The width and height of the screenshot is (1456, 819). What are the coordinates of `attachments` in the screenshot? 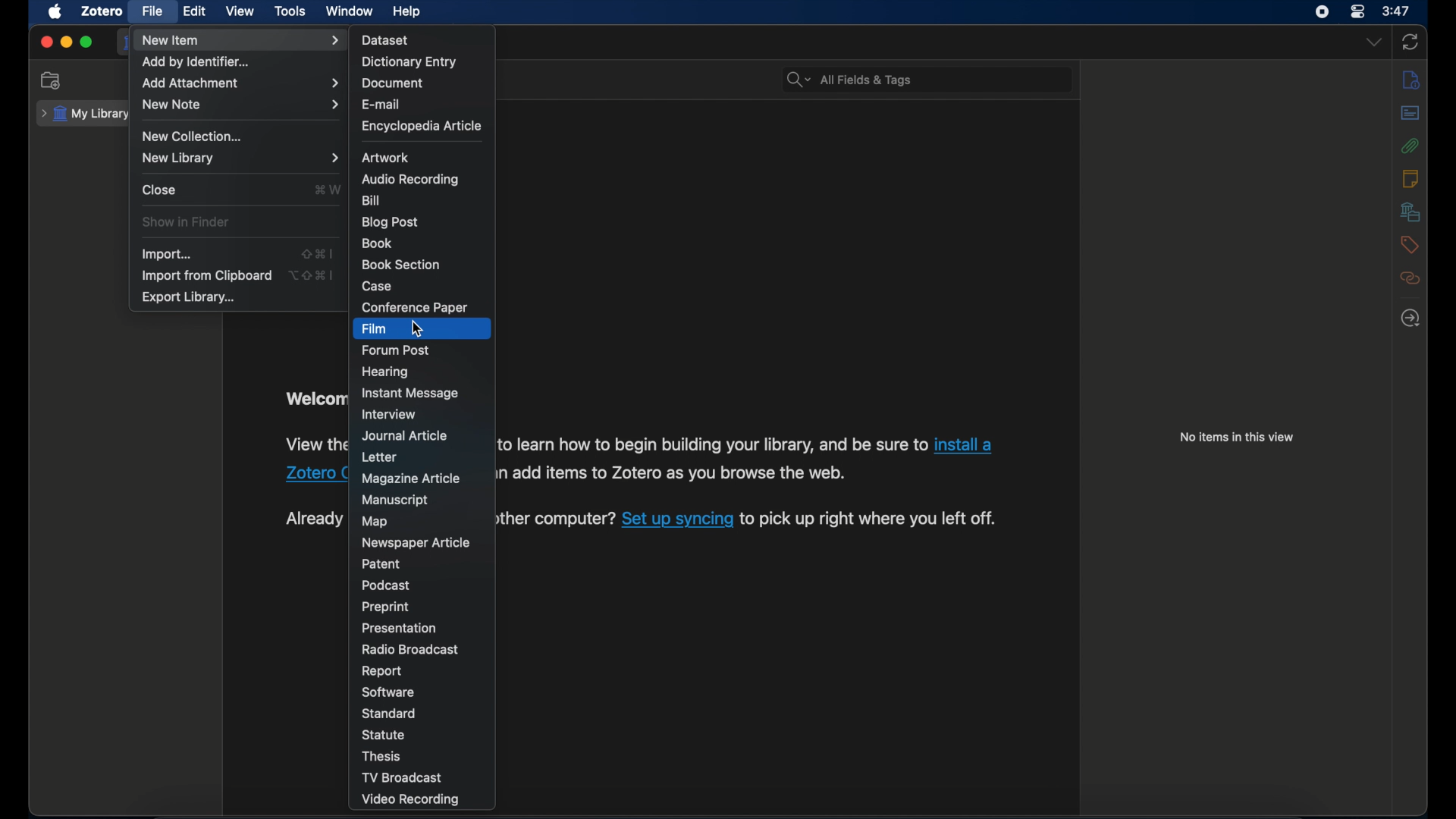 It's located at (1411, 146).